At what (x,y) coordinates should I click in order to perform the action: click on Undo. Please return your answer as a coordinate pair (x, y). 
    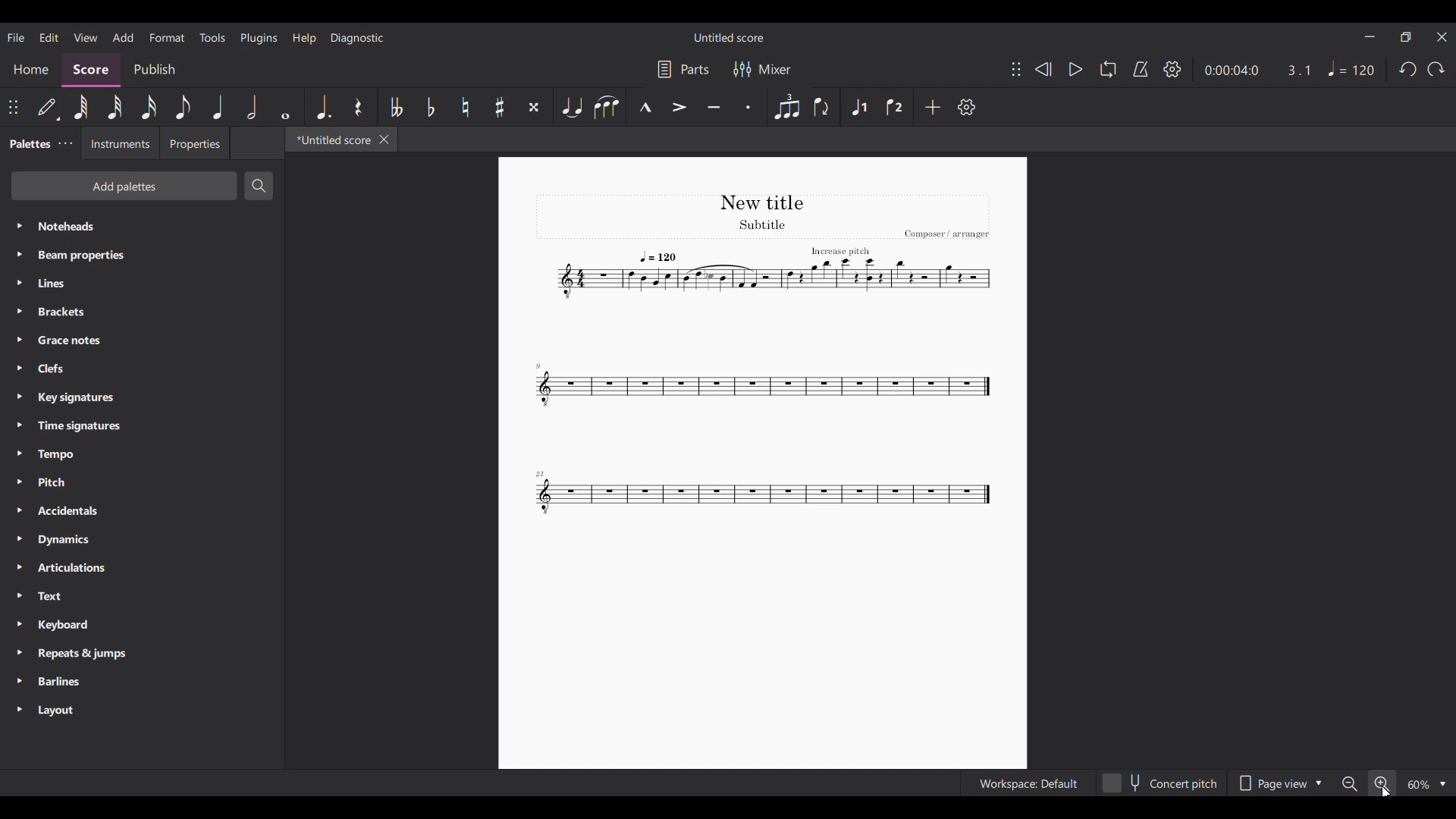
    Looking at the image, I should click on (1408, 68).